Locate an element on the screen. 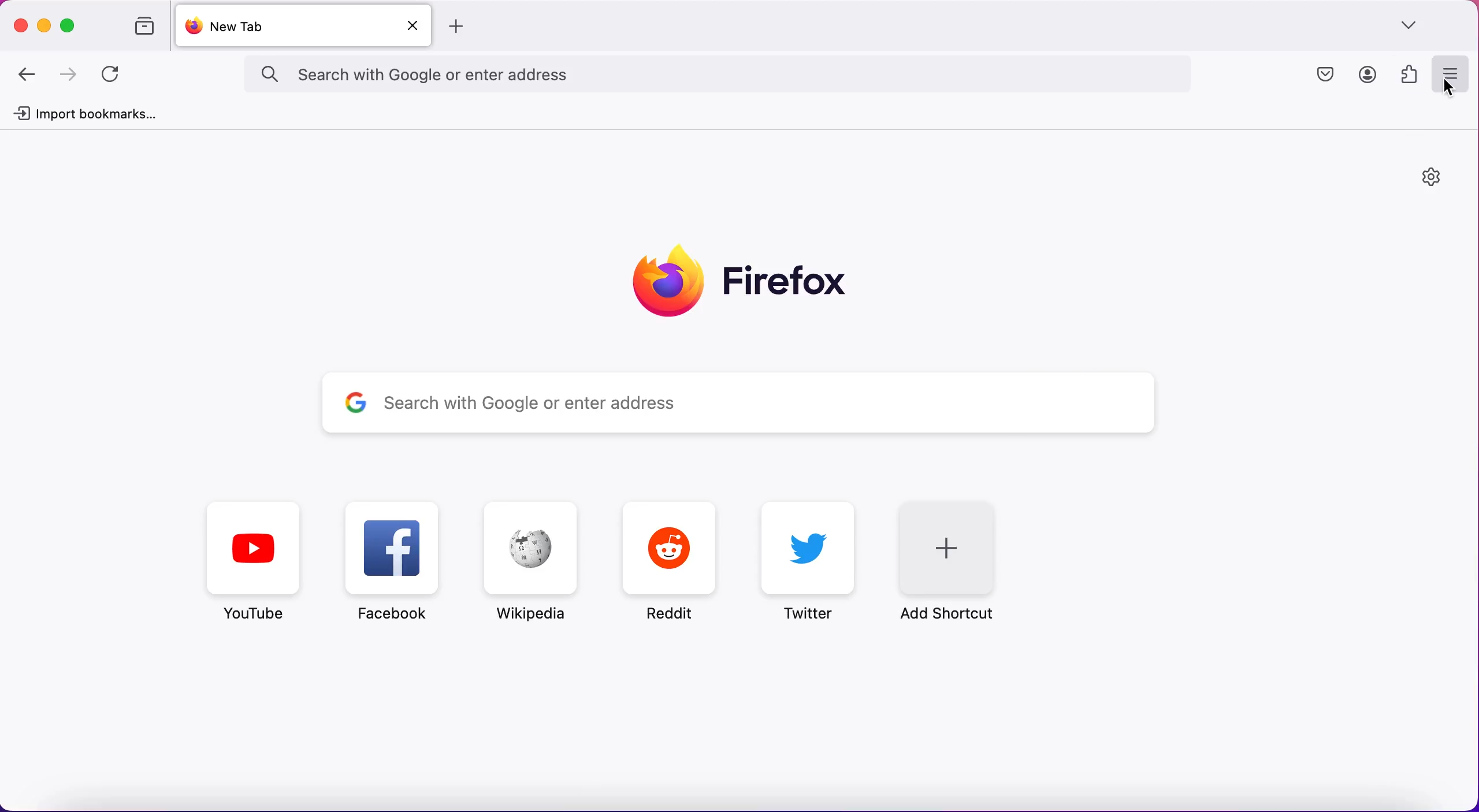 This screenshot has width=1479, height=812. open application menu is located at coordinates (1450, 75).